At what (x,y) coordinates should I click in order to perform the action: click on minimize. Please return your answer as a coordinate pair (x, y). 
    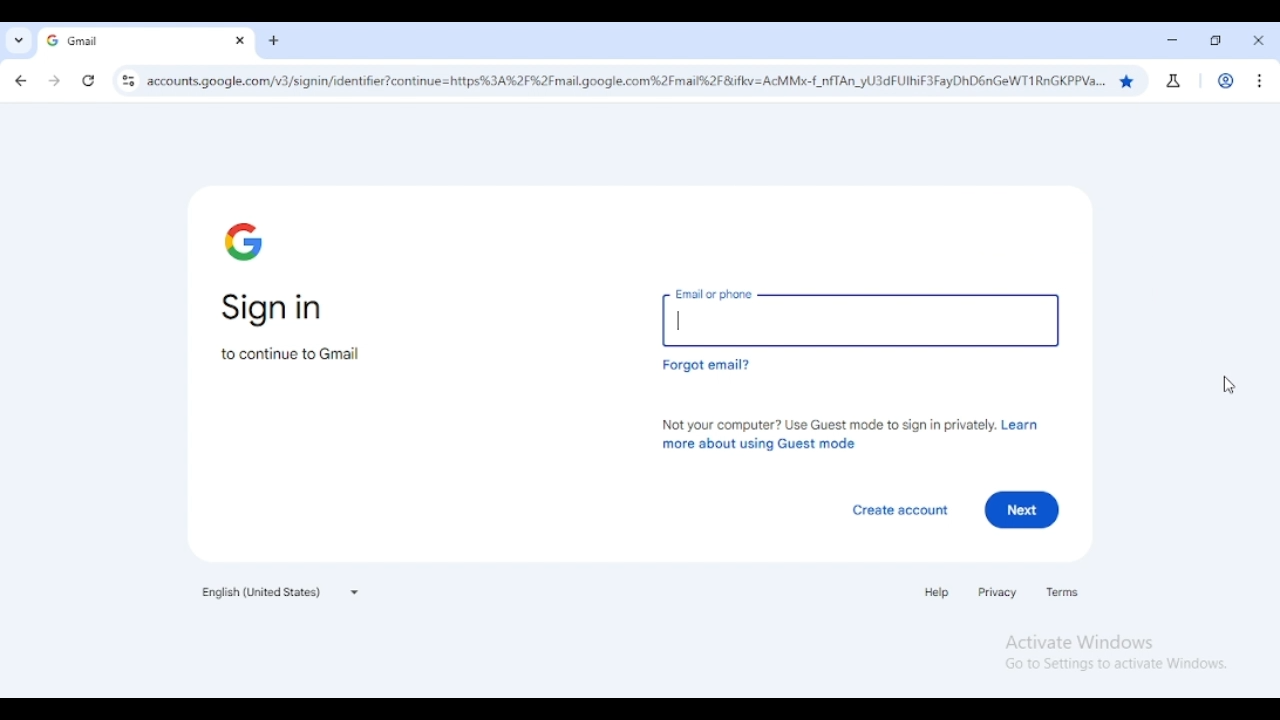
    Looking at the image, I should click on (1172, 40).